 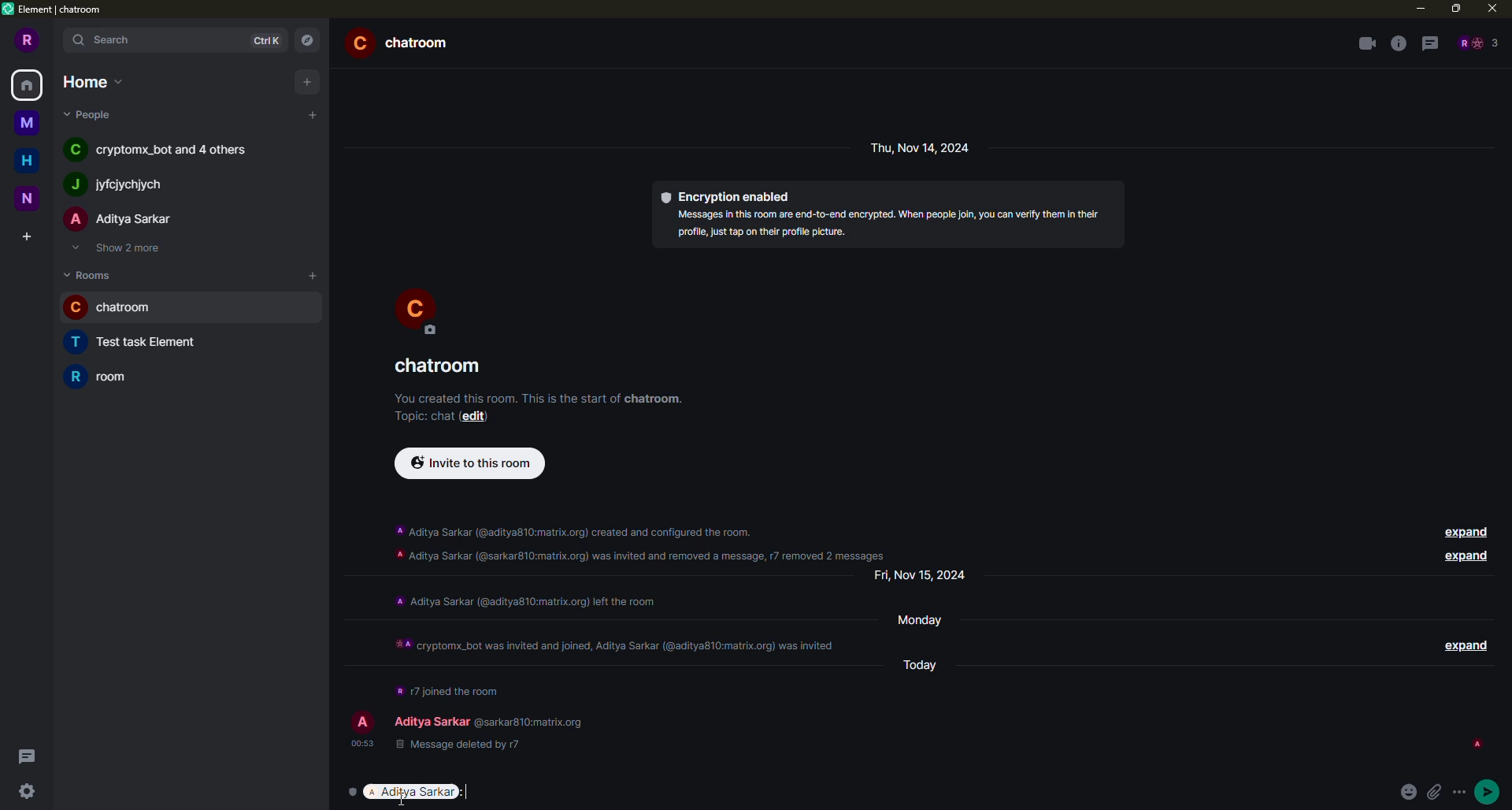 I want to click on edit, so click(x=480, y=417).